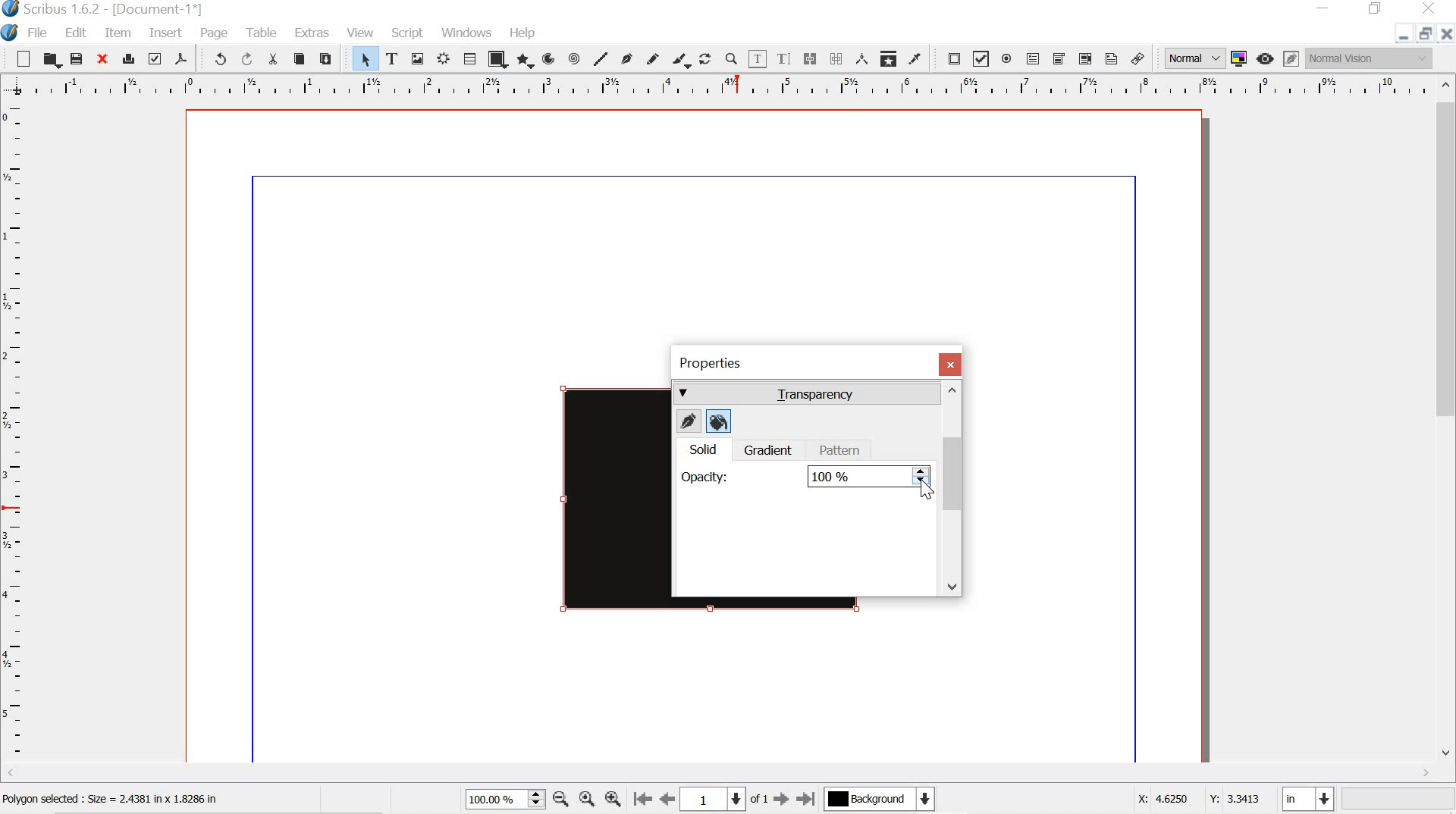  What do you see at coordinates (1195, 58) in the screenshot?
I see `normal` at bounding box center [1195, 58].